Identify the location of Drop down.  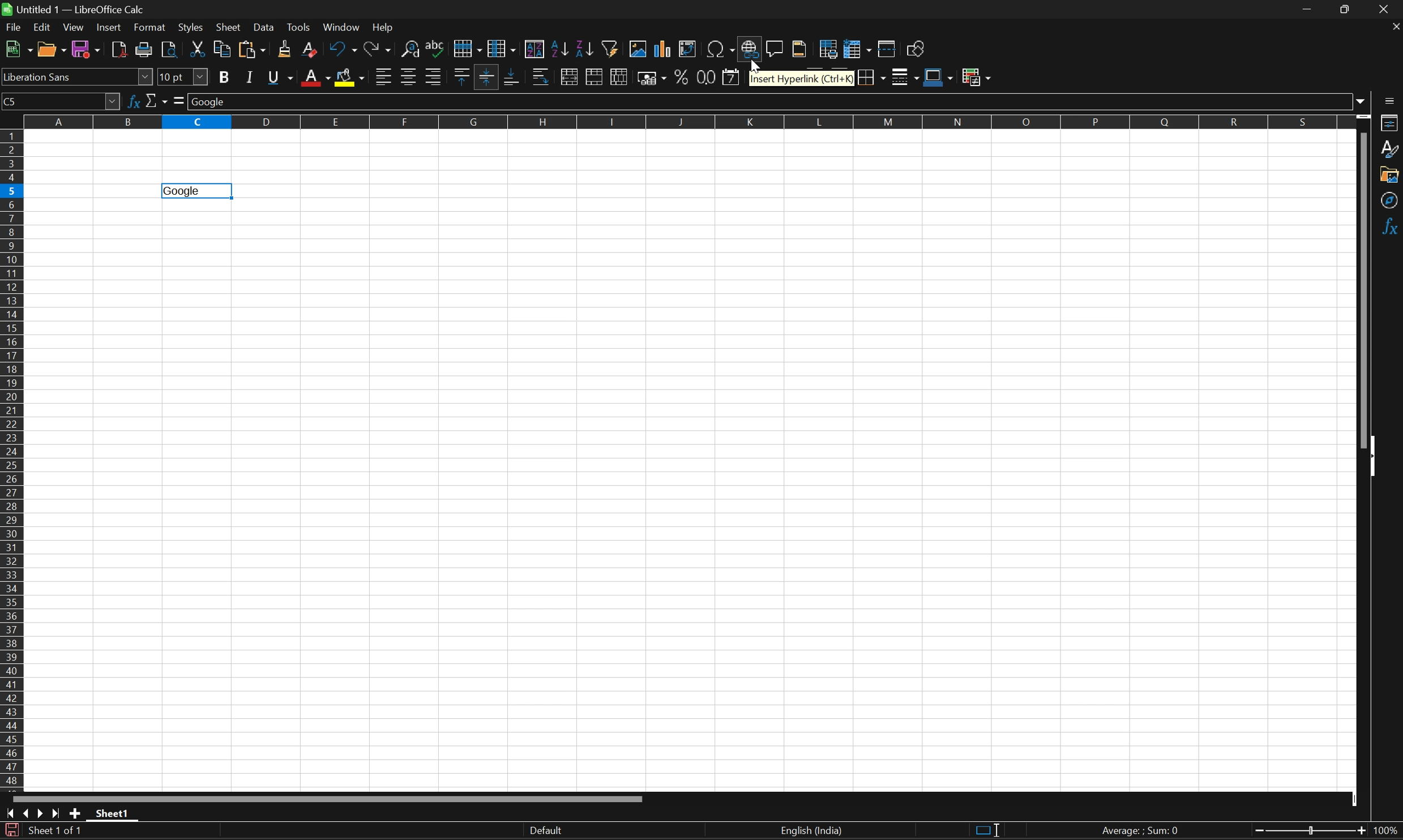
(1361, 100).